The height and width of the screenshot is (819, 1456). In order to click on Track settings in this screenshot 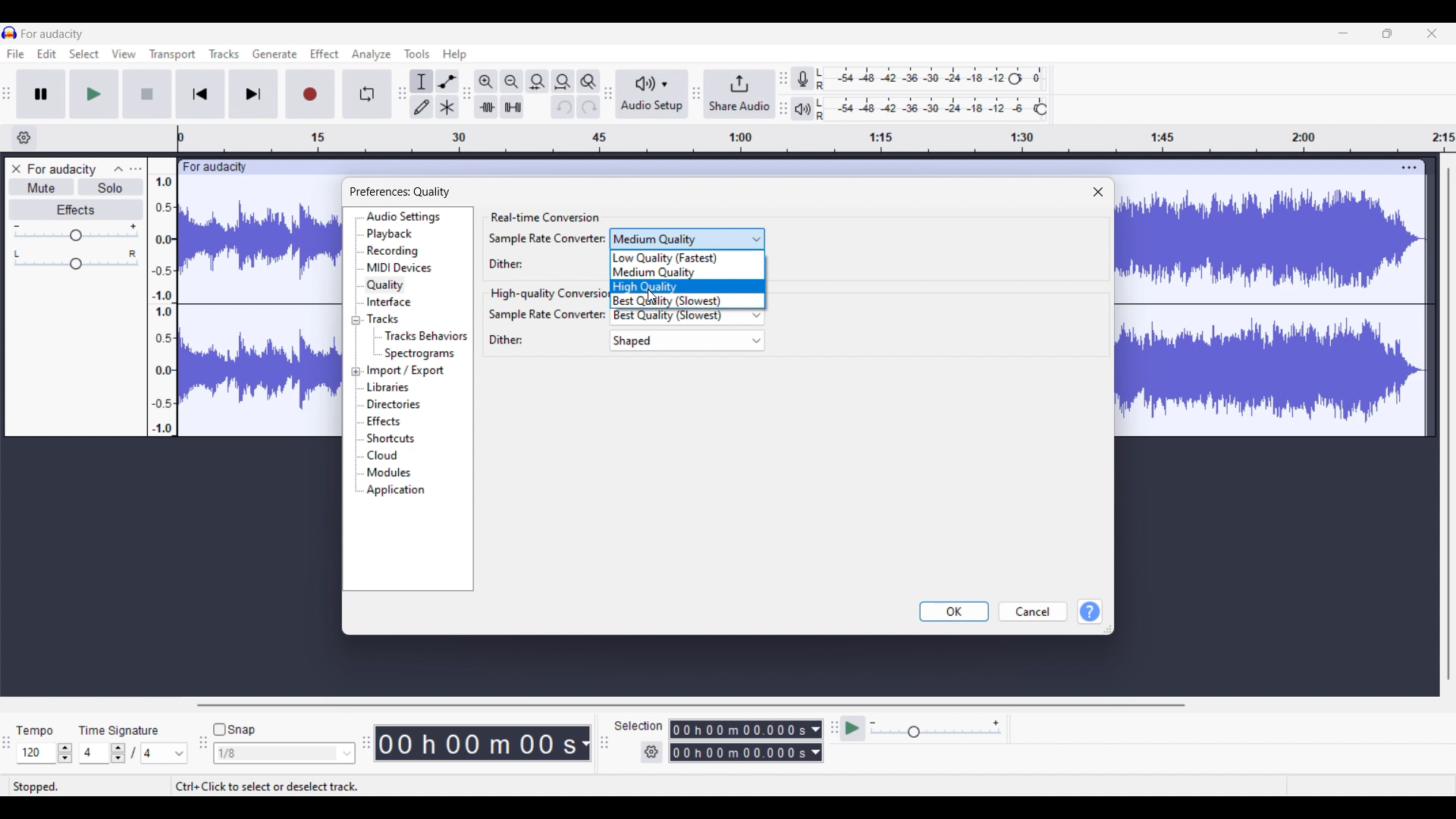, I will do `click(1409, 168)`.